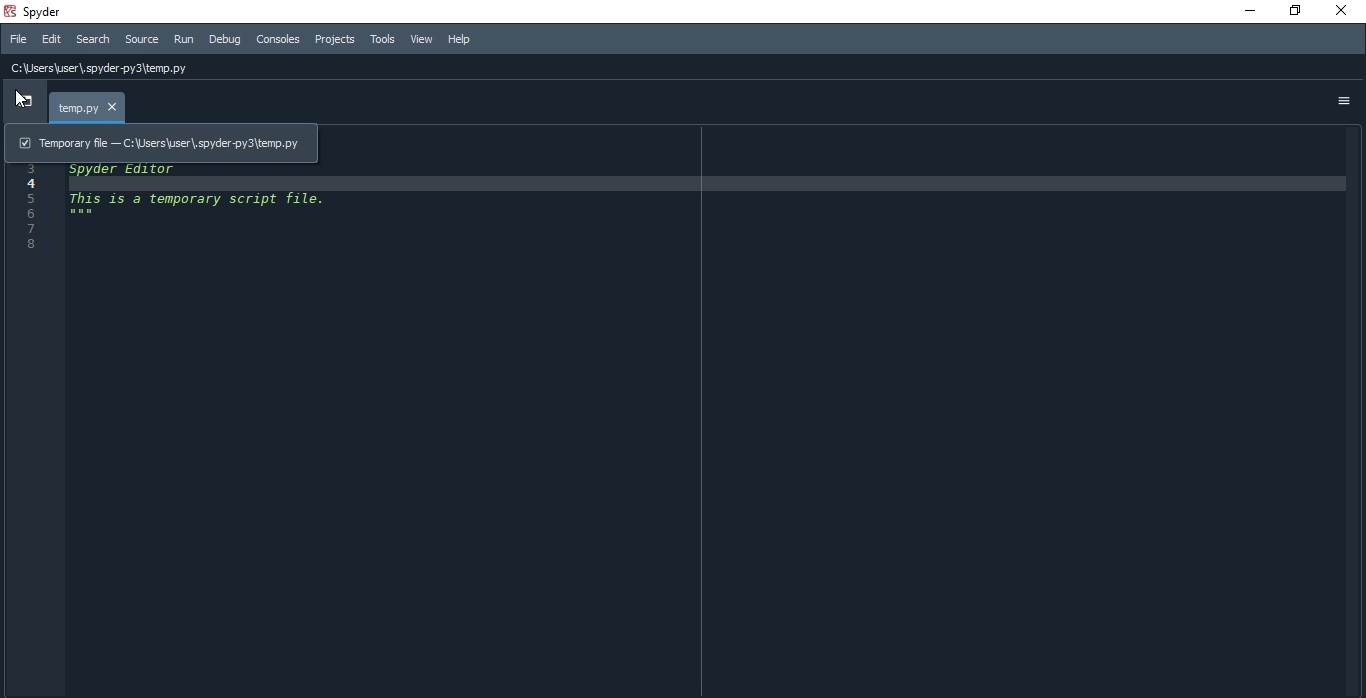  Describe the element at coordinates (104, 68) in the screenshot. I see `C:\Users\user\.spyder-py3\temp.py` at that location.